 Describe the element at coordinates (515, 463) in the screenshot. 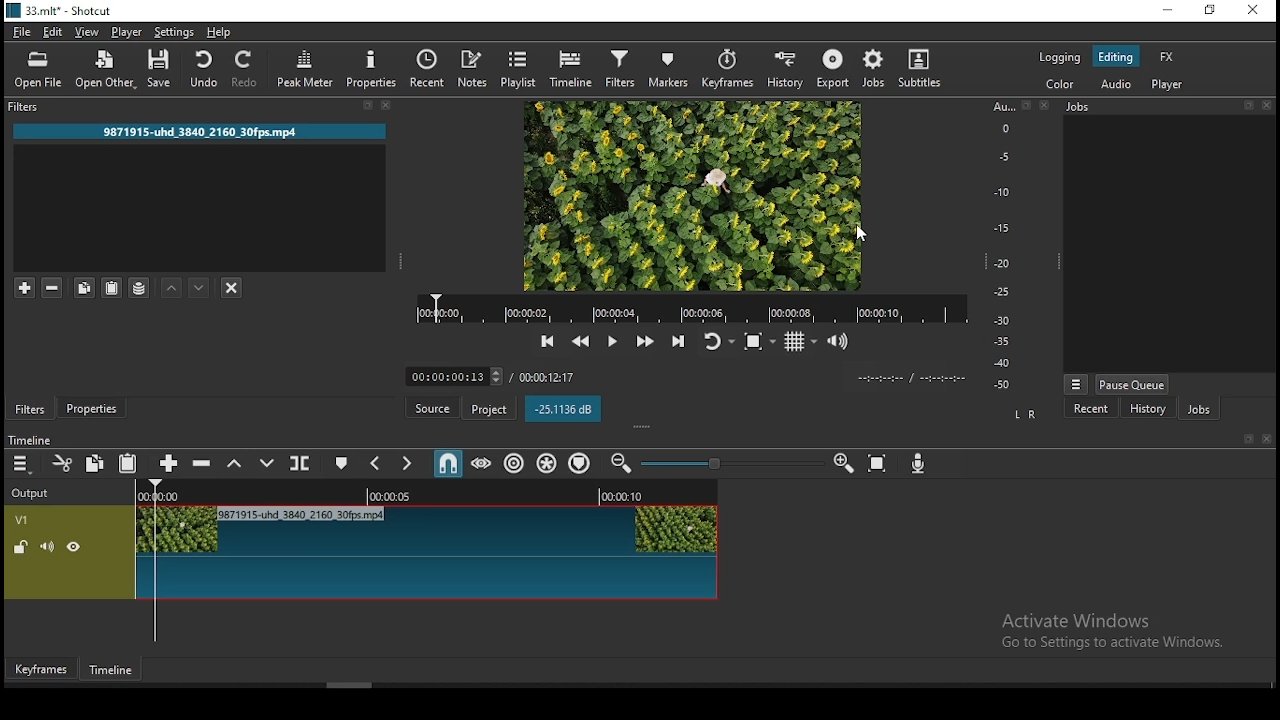

I see `ripple` at that location.